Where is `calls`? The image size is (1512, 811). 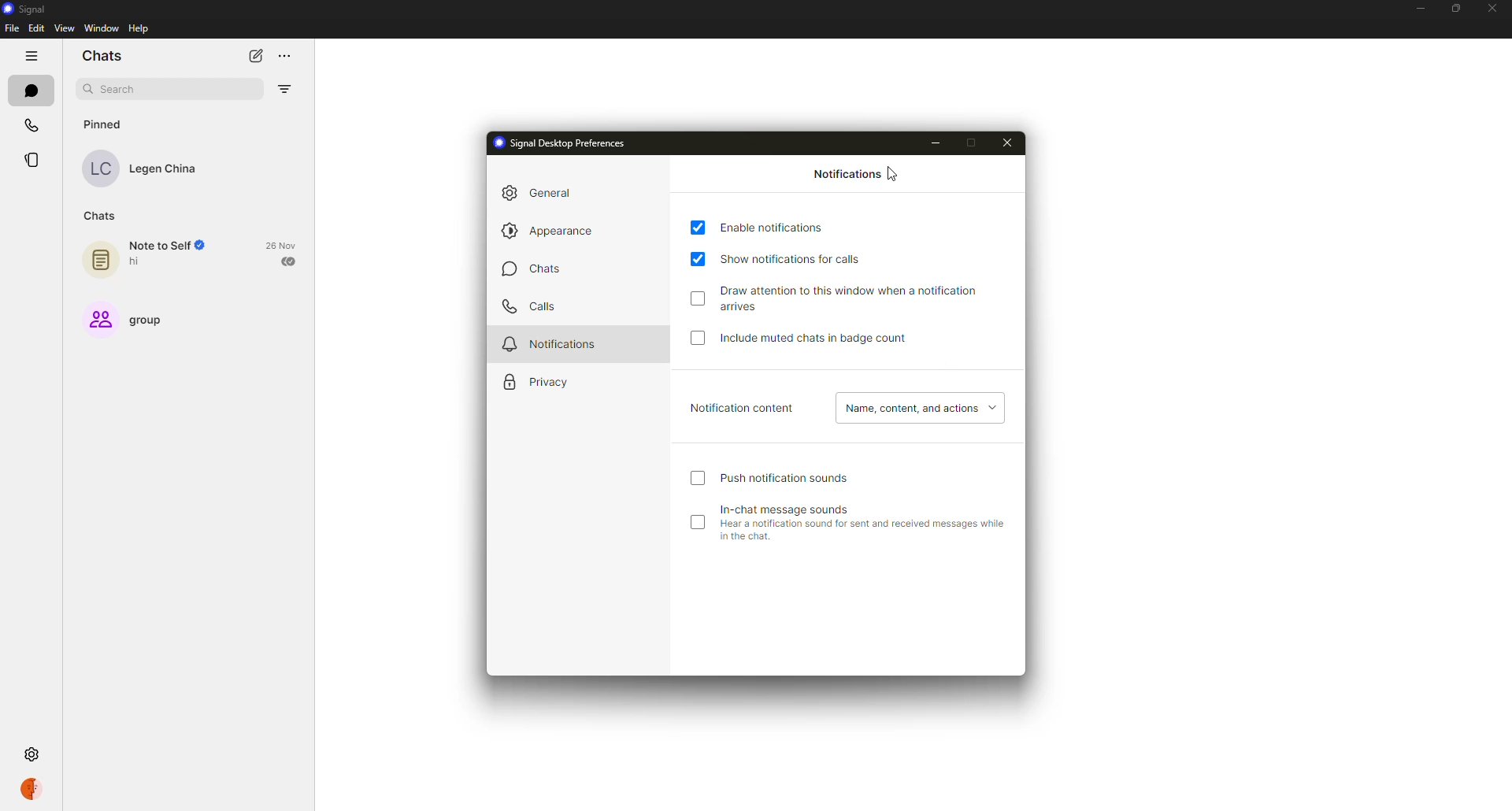
calls is located at coordinates (532, 304).